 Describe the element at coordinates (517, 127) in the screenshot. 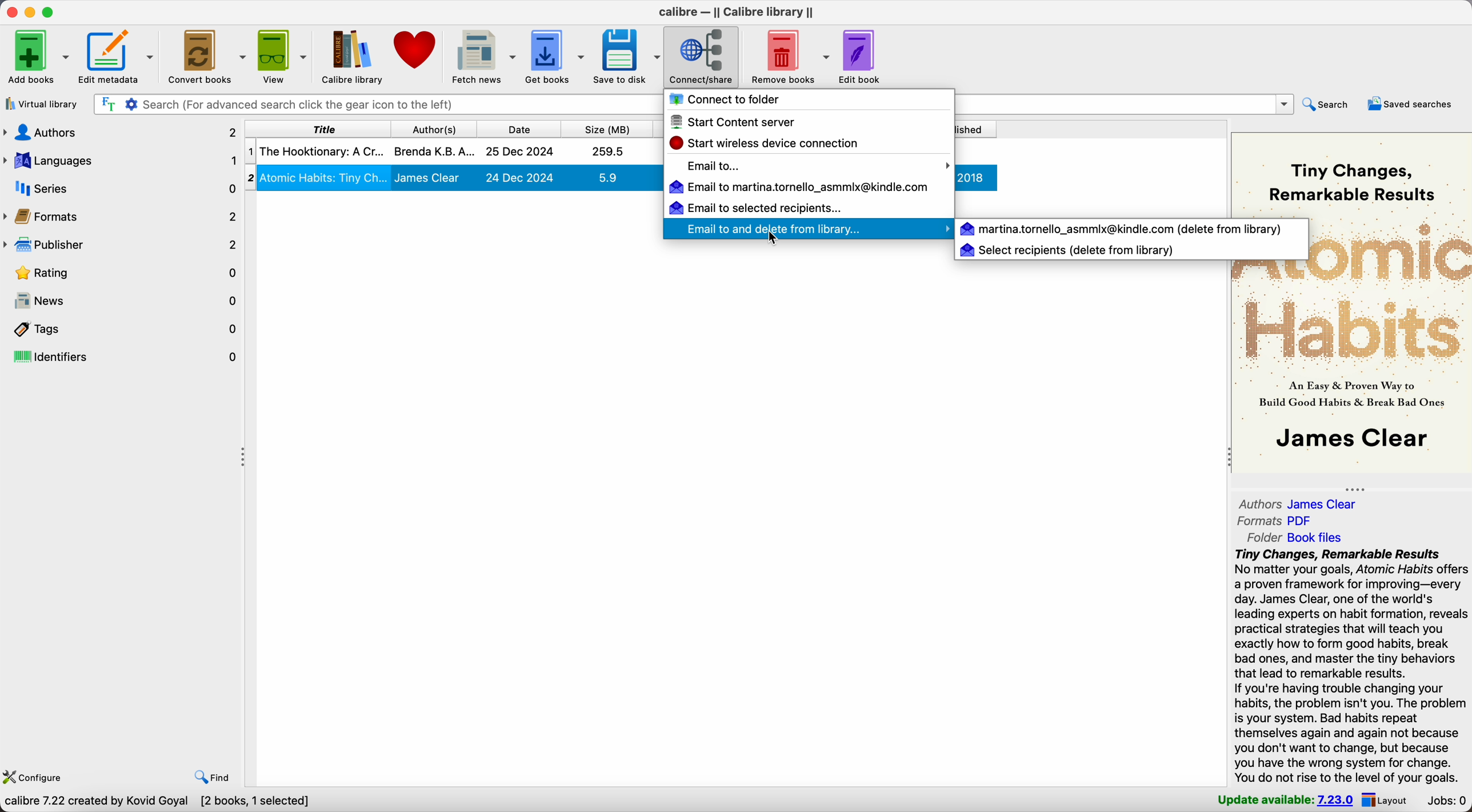

I see `date` at that location.